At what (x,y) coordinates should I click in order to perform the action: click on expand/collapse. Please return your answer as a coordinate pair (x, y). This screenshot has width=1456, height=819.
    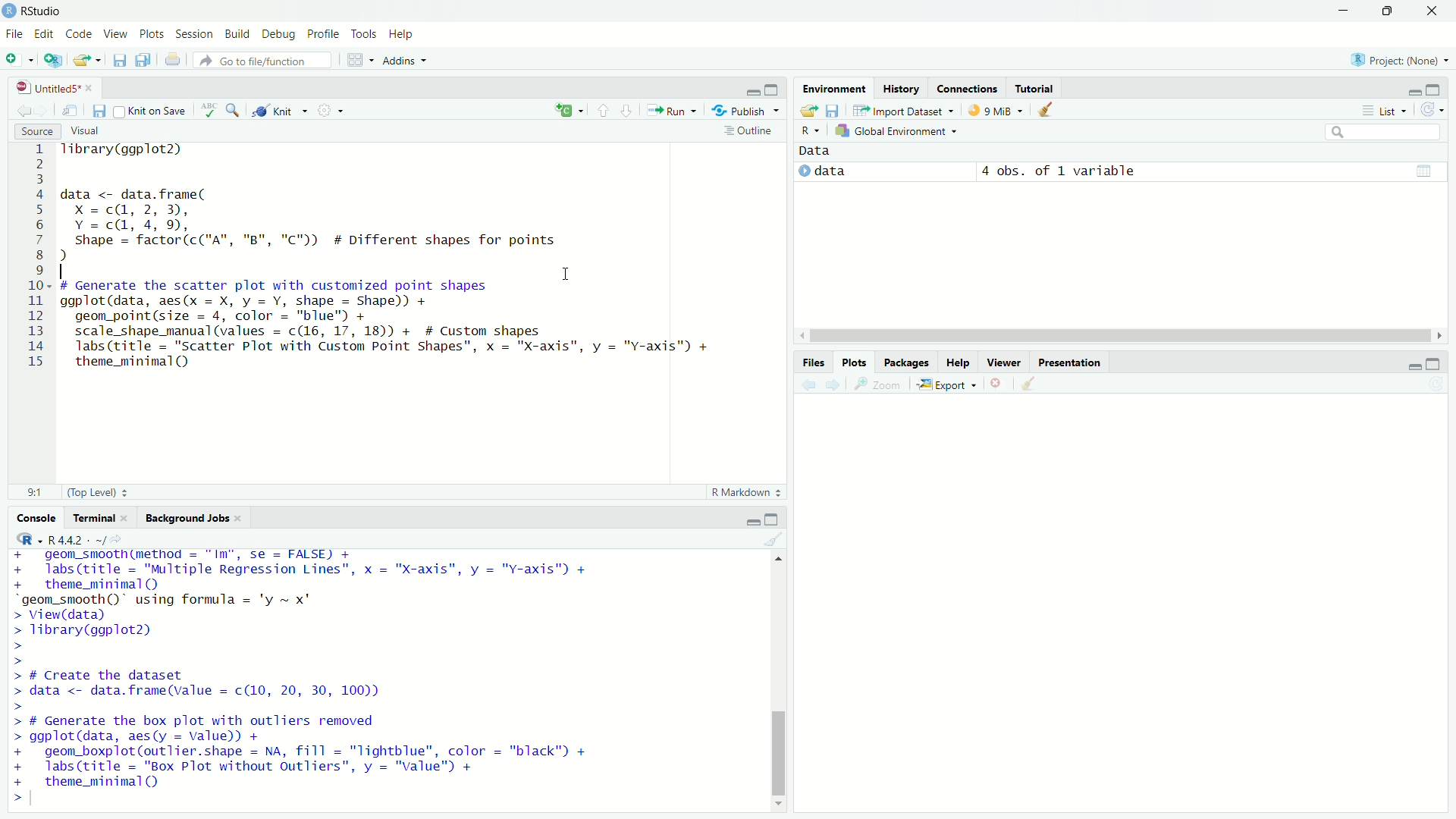
    Looking at the image, I should click on (802, 170).